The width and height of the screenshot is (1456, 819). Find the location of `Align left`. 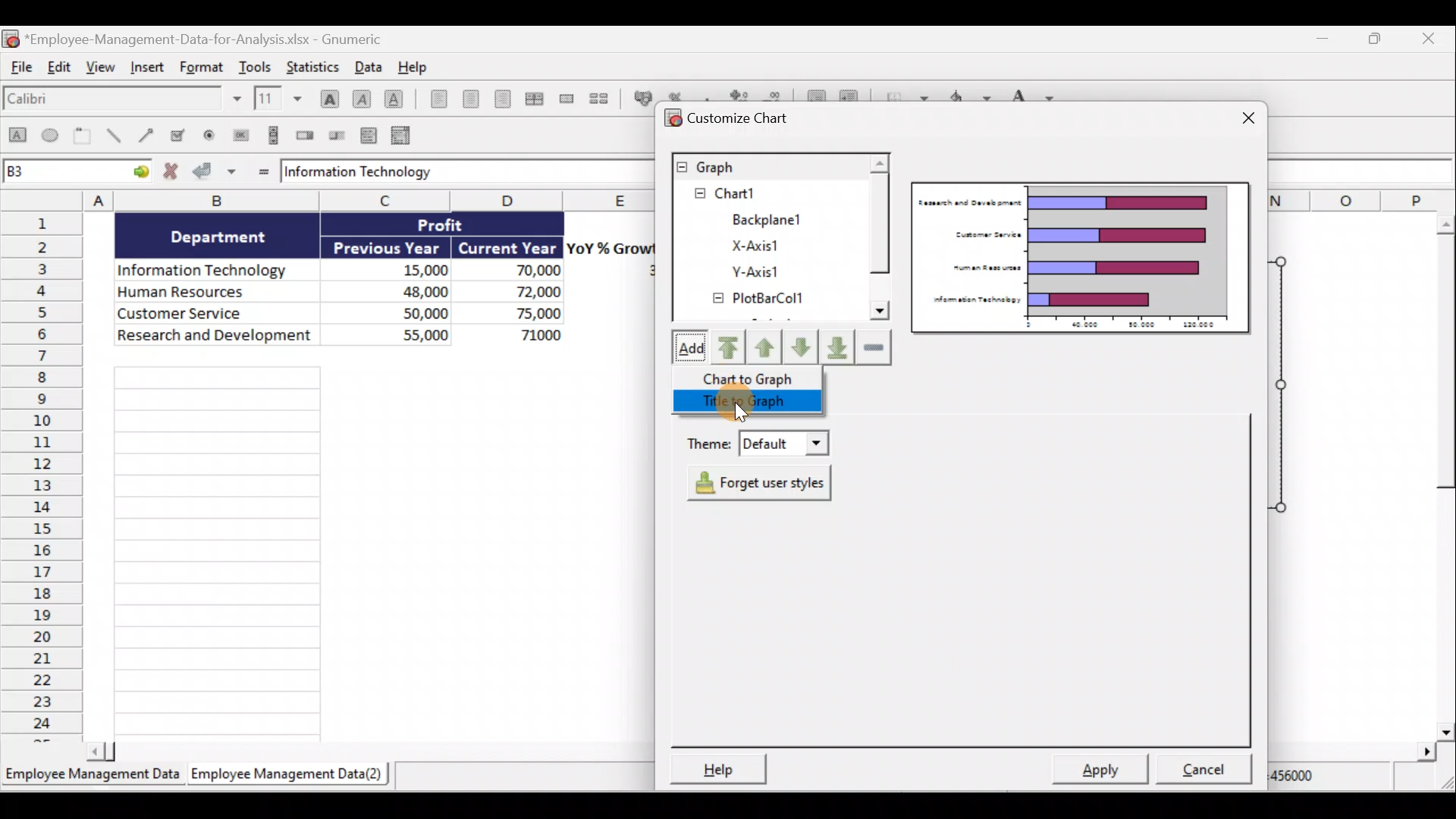

Align left is located at coordinates (434, 102).